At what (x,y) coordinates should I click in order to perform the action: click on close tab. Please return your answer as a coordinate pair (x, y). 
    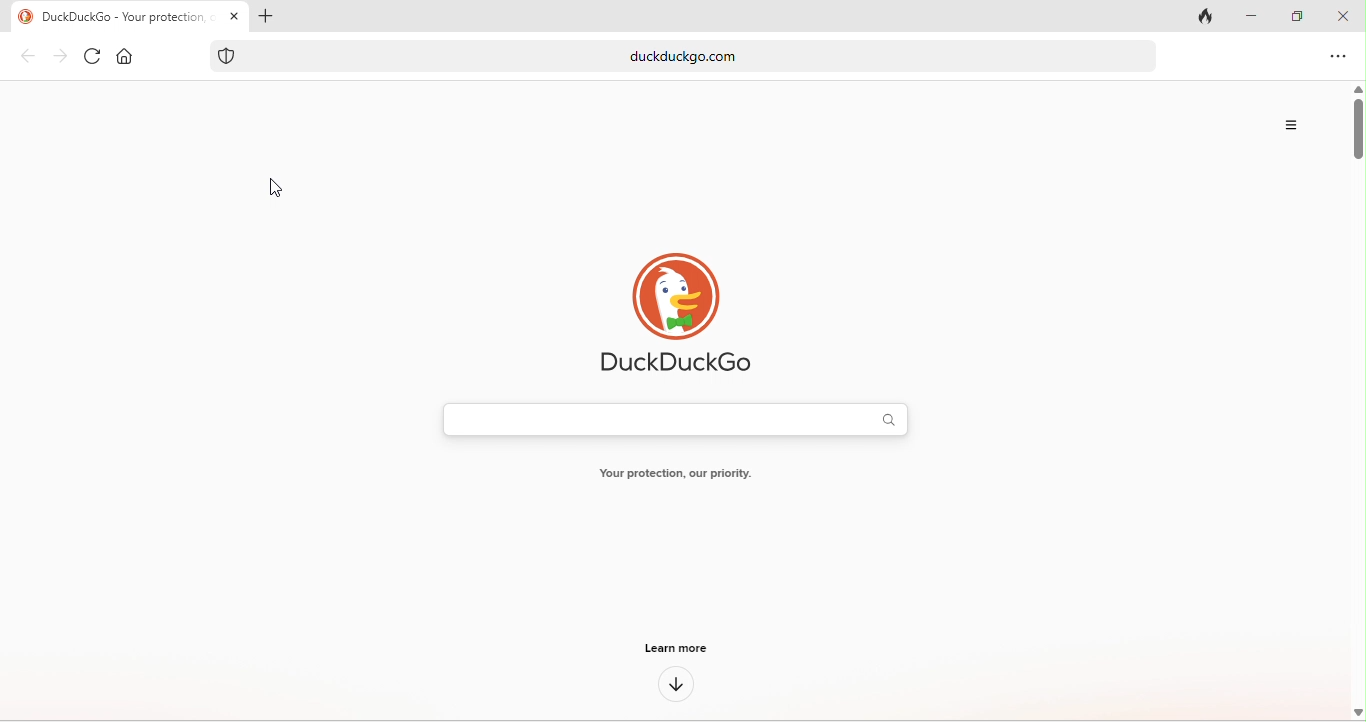
    Looking at the image, I should click on (235, 17).